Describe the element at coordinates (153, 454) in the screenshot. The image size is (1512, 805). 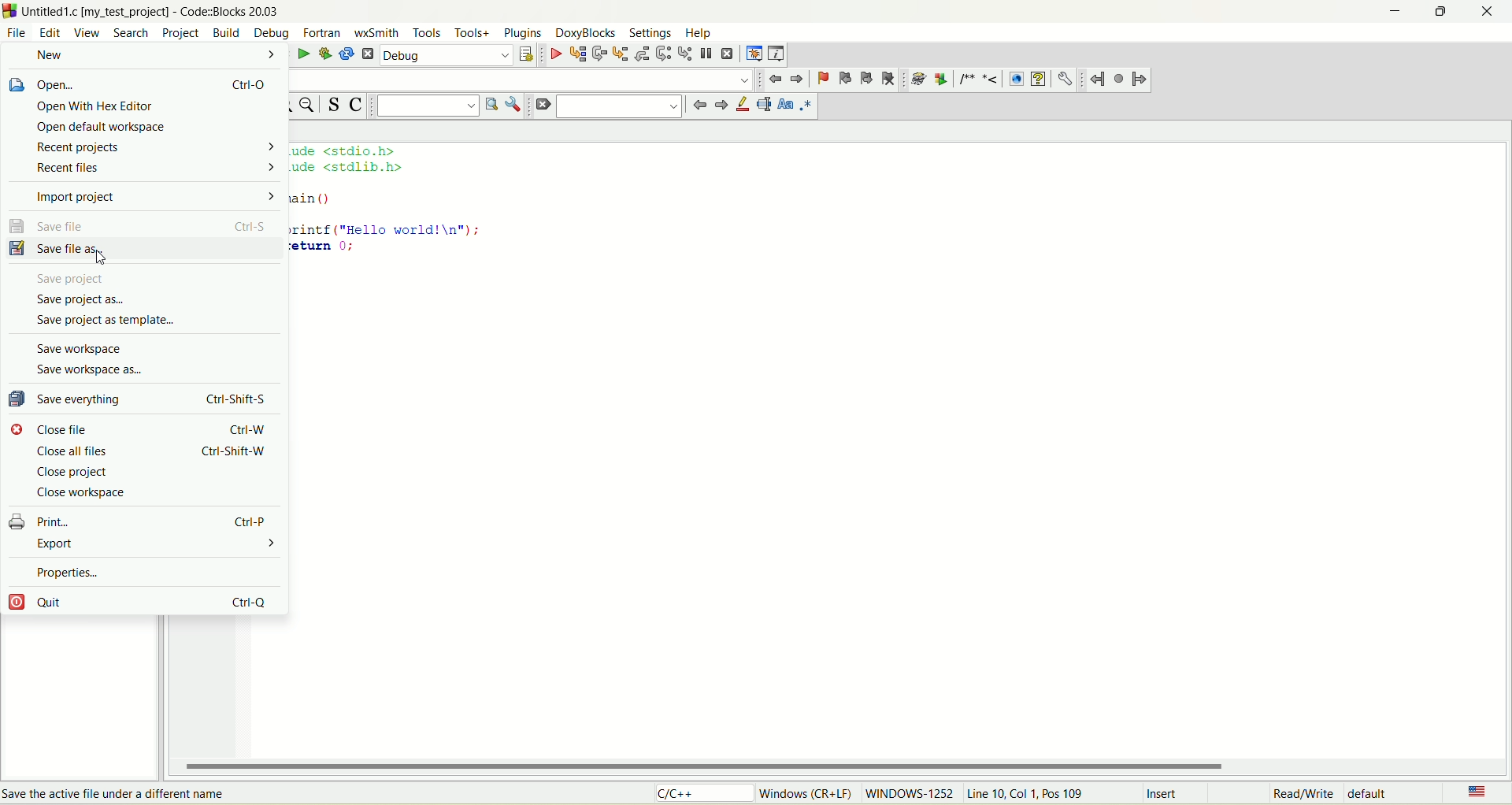
I see `close all files` at that location.